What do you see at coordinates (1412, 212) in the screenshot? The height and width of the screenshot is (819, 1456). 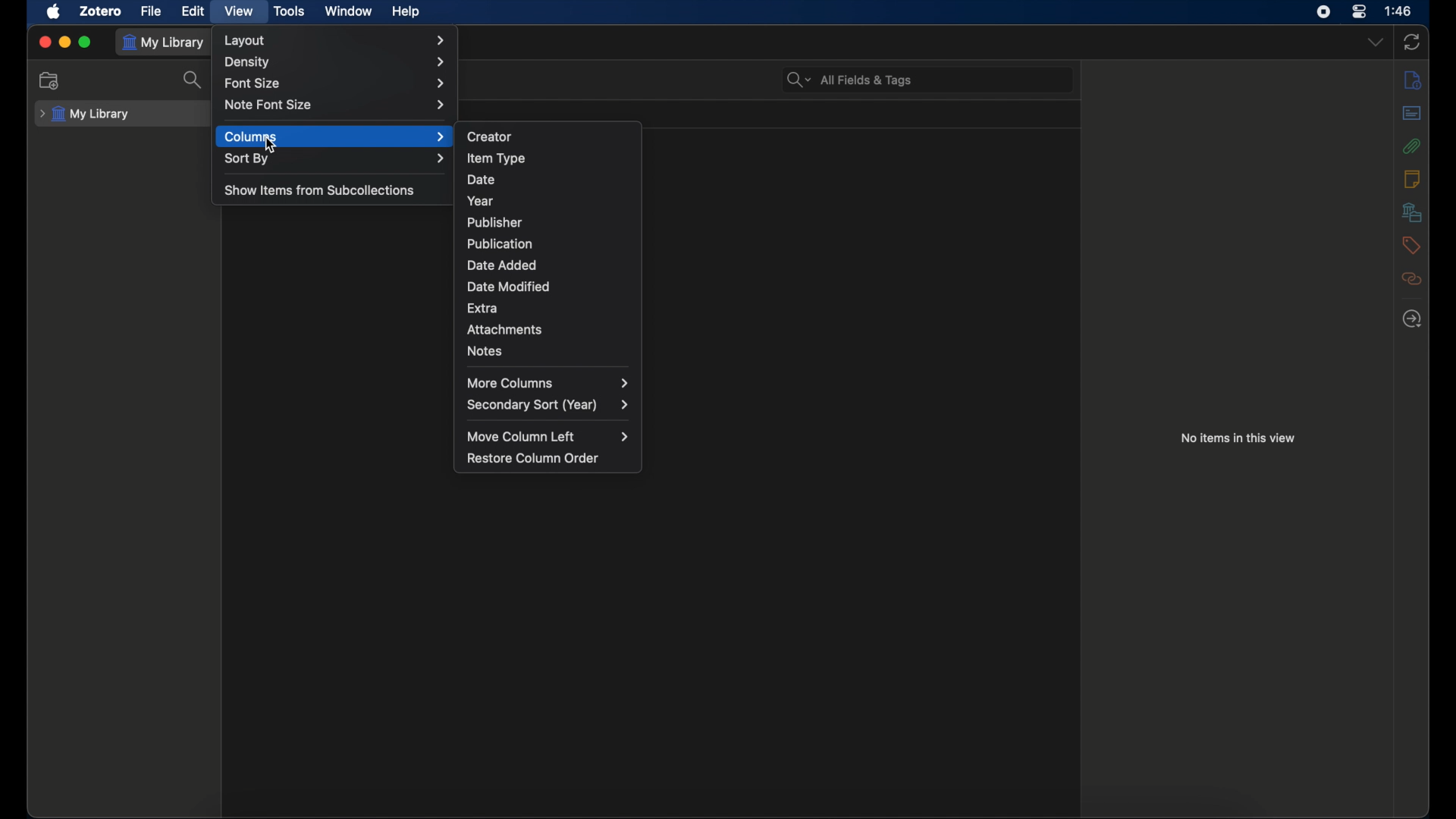 I see `libraries` at bounding box center [1412, 212].